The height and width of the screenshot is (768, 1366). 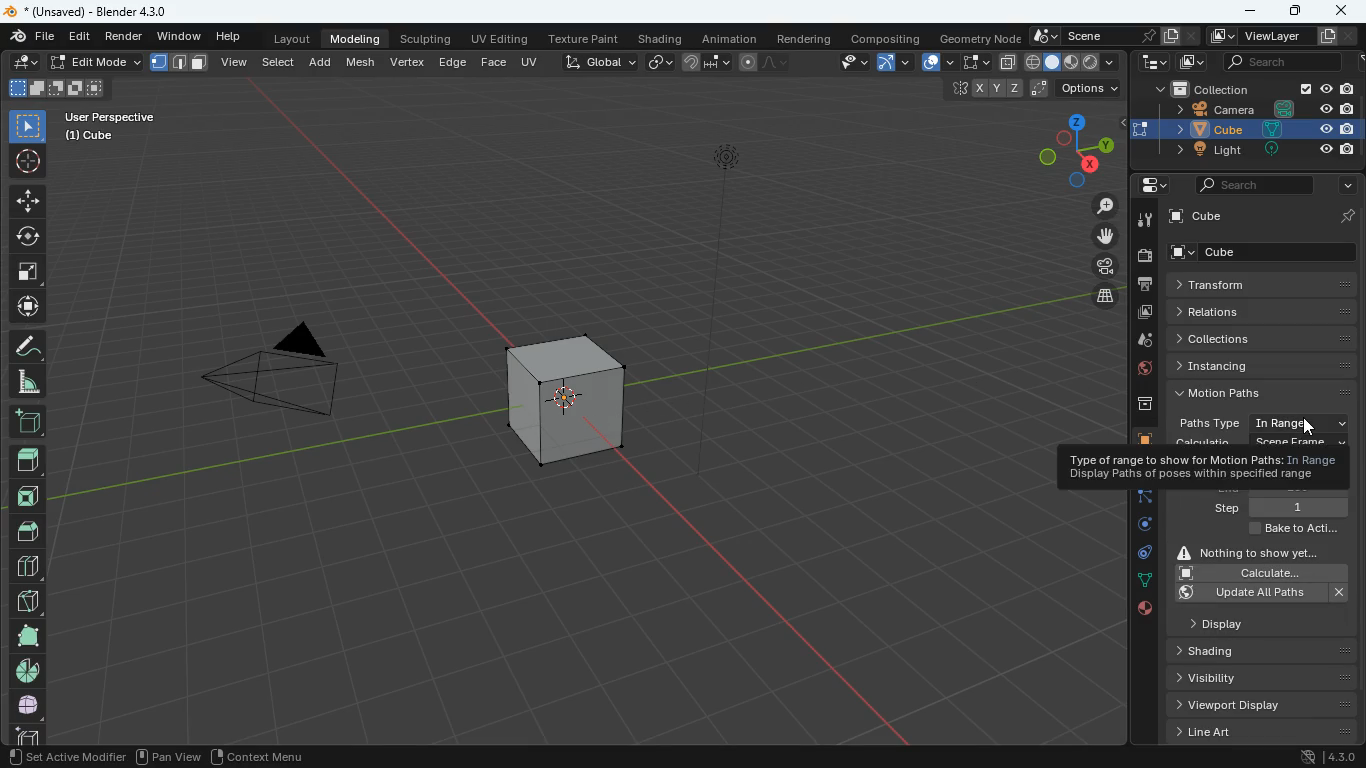 I want to click on file, so click(x=30, y=37).